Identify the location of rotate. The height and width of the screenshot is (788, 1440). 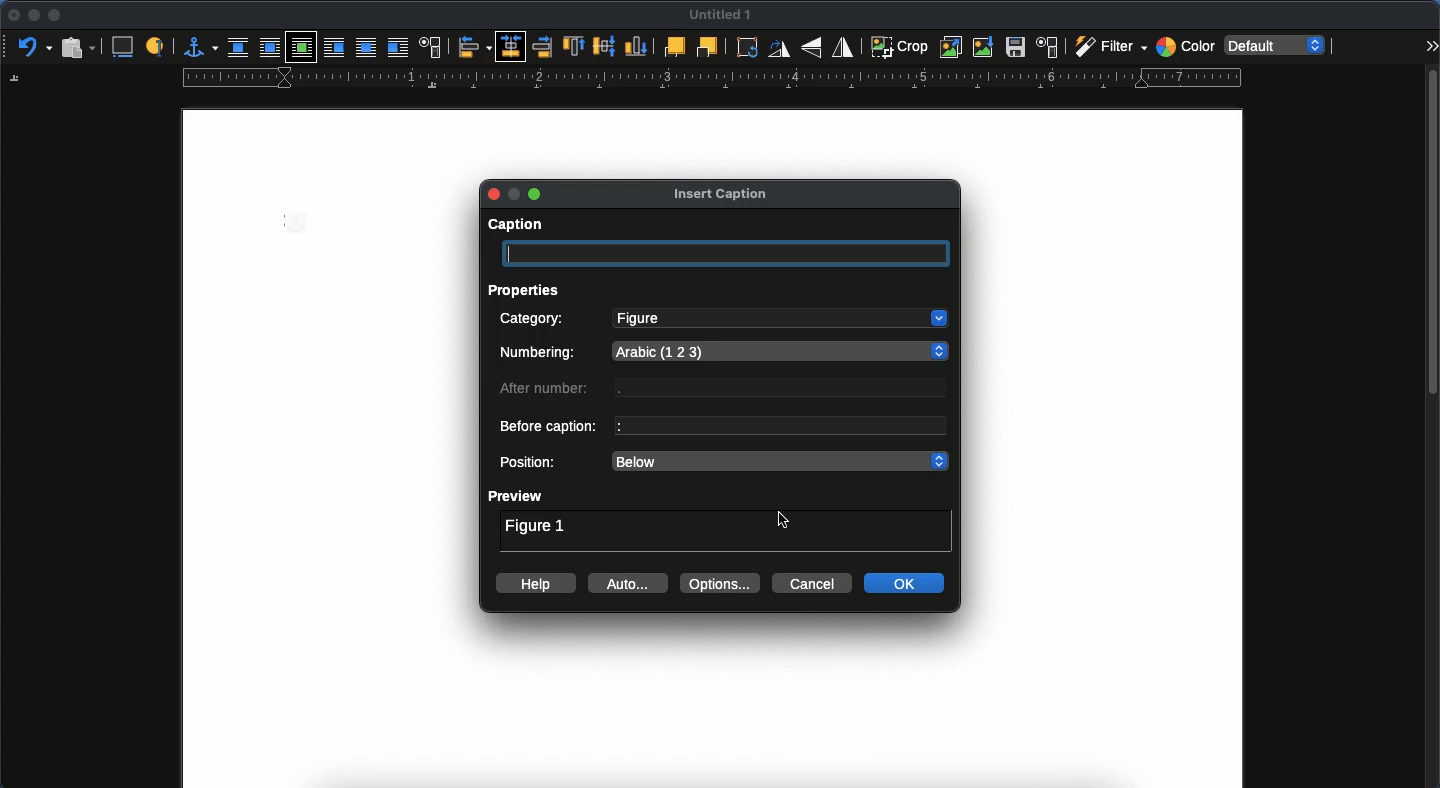
(751, 49).